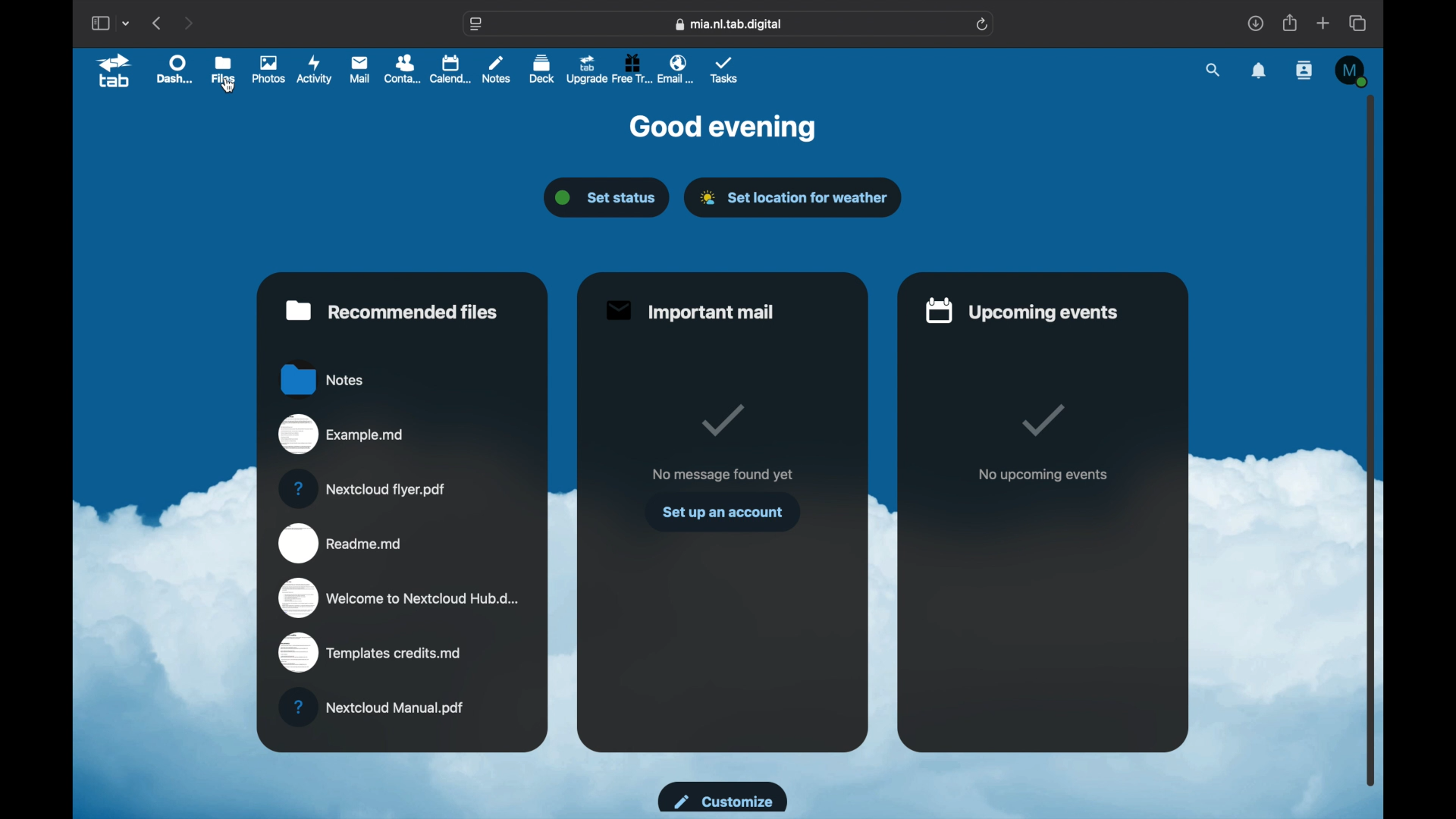 The image size is (1456, 819). I want to click on scroll box, so click(1371, 440).